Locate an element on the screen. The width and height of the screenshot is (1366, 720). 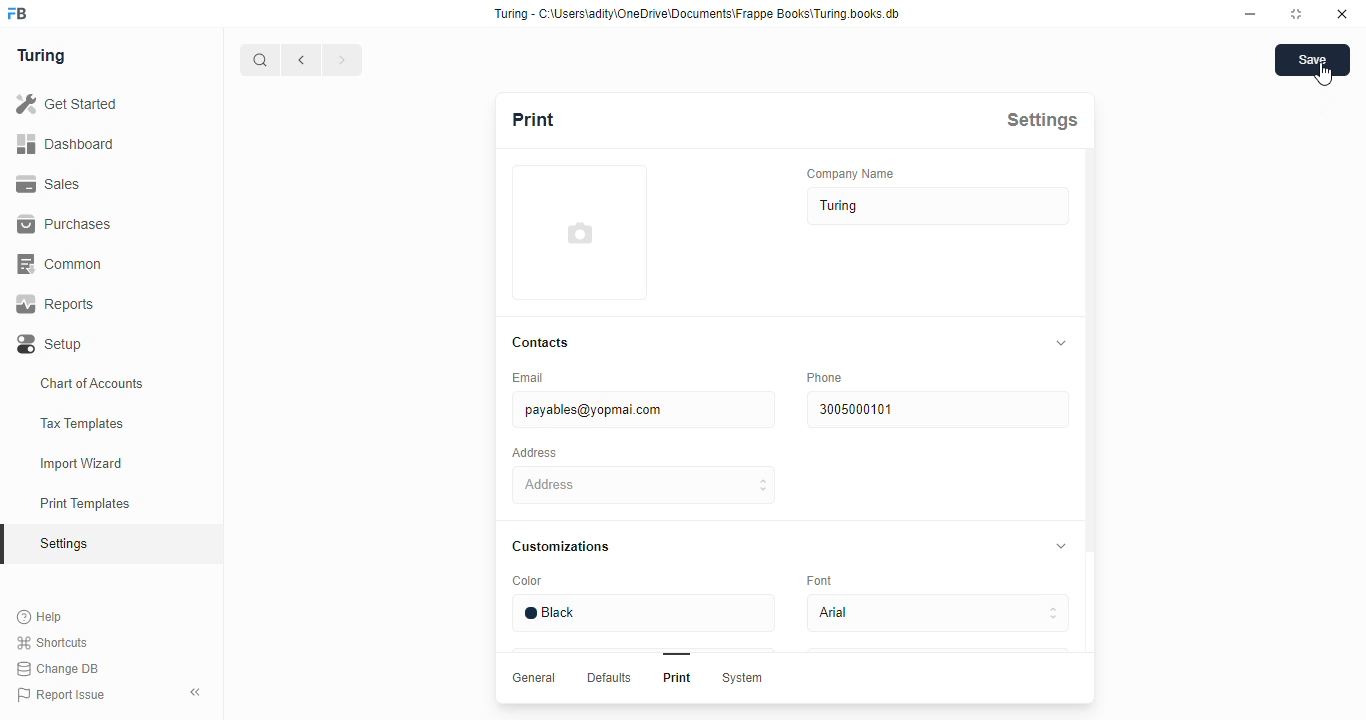
collapse is located at coordinates (197, 692).